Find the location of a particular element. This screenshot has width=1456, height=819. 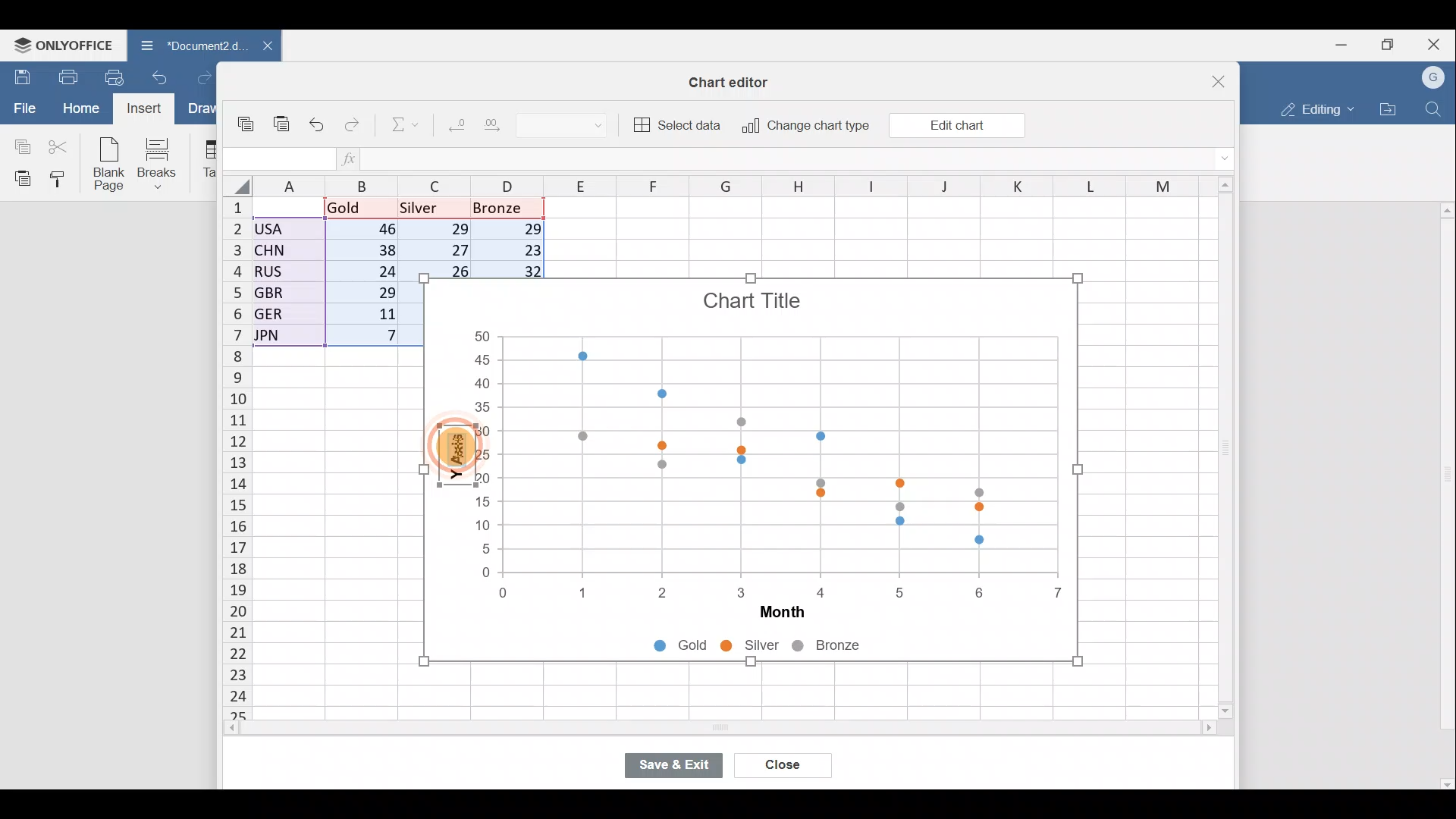

ONLYOFFICE Menu is located at coordinates (62, 45).